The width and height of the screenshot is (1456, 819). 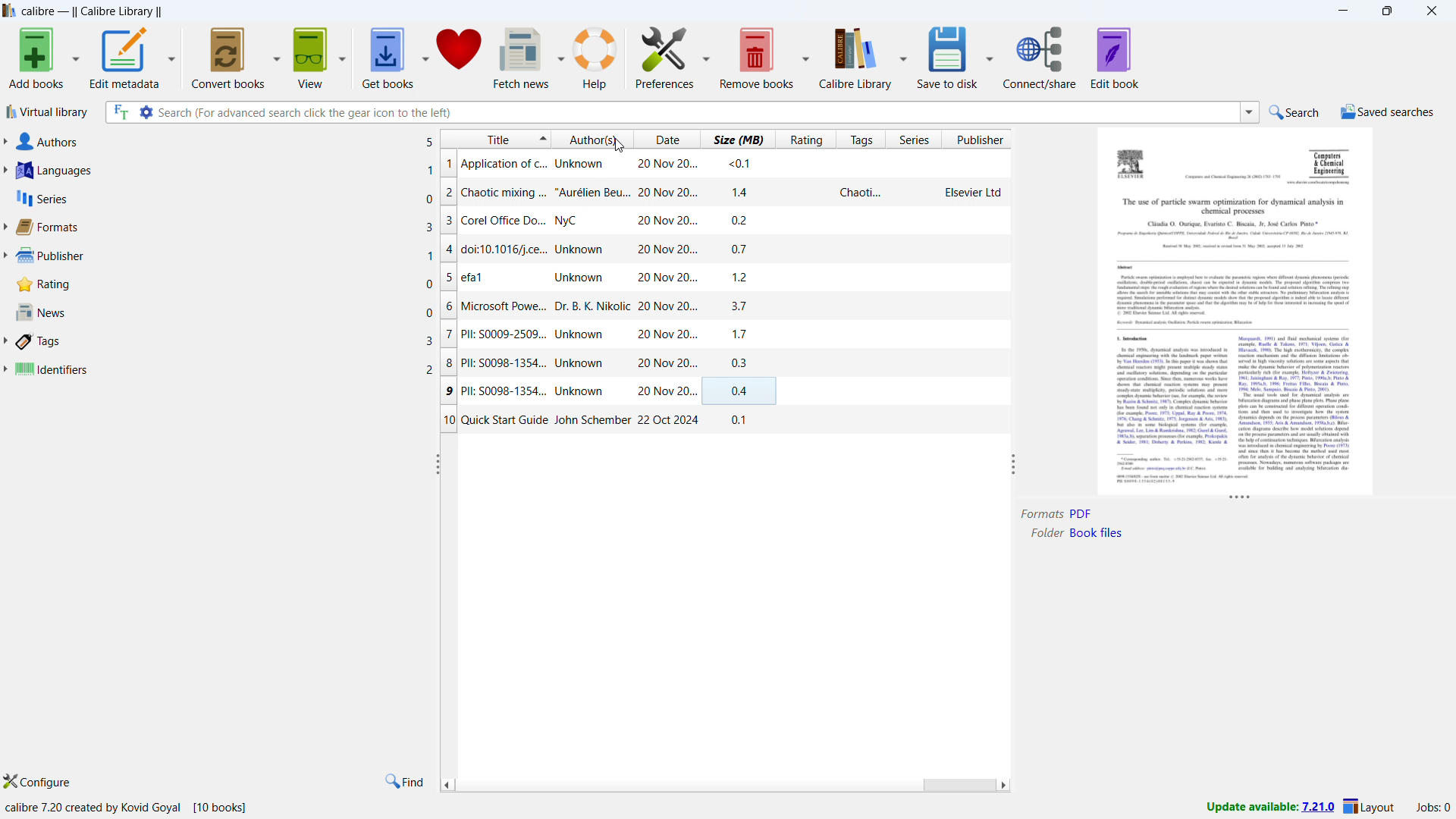 What do you see at coordinates (449, 393) in the screenshot?
I see `9` at bounding box center [449, 393].